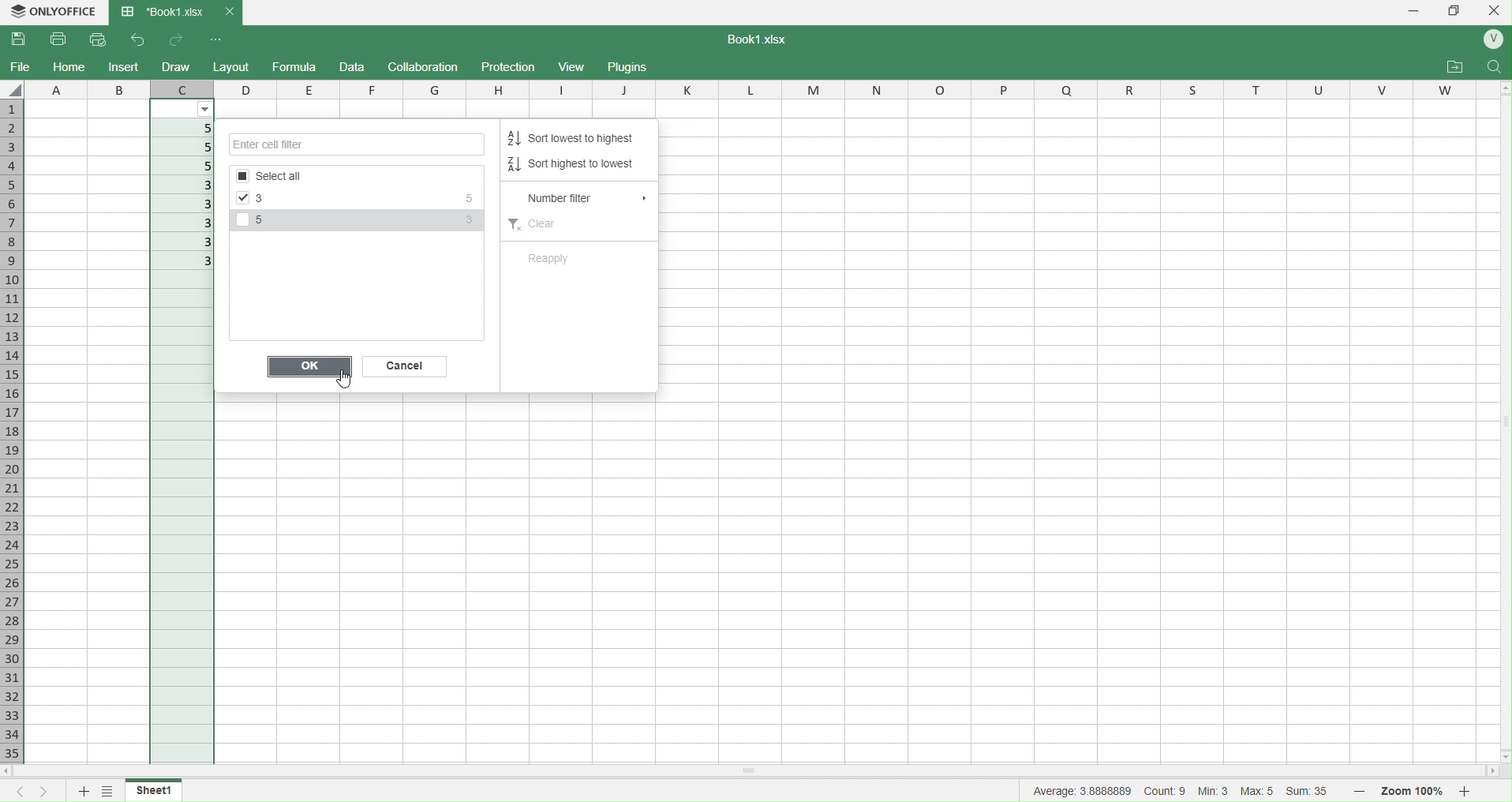 Image resolution: width=1512 pixels, height=802 pixels. I want to click on 5, so click(187, 167).